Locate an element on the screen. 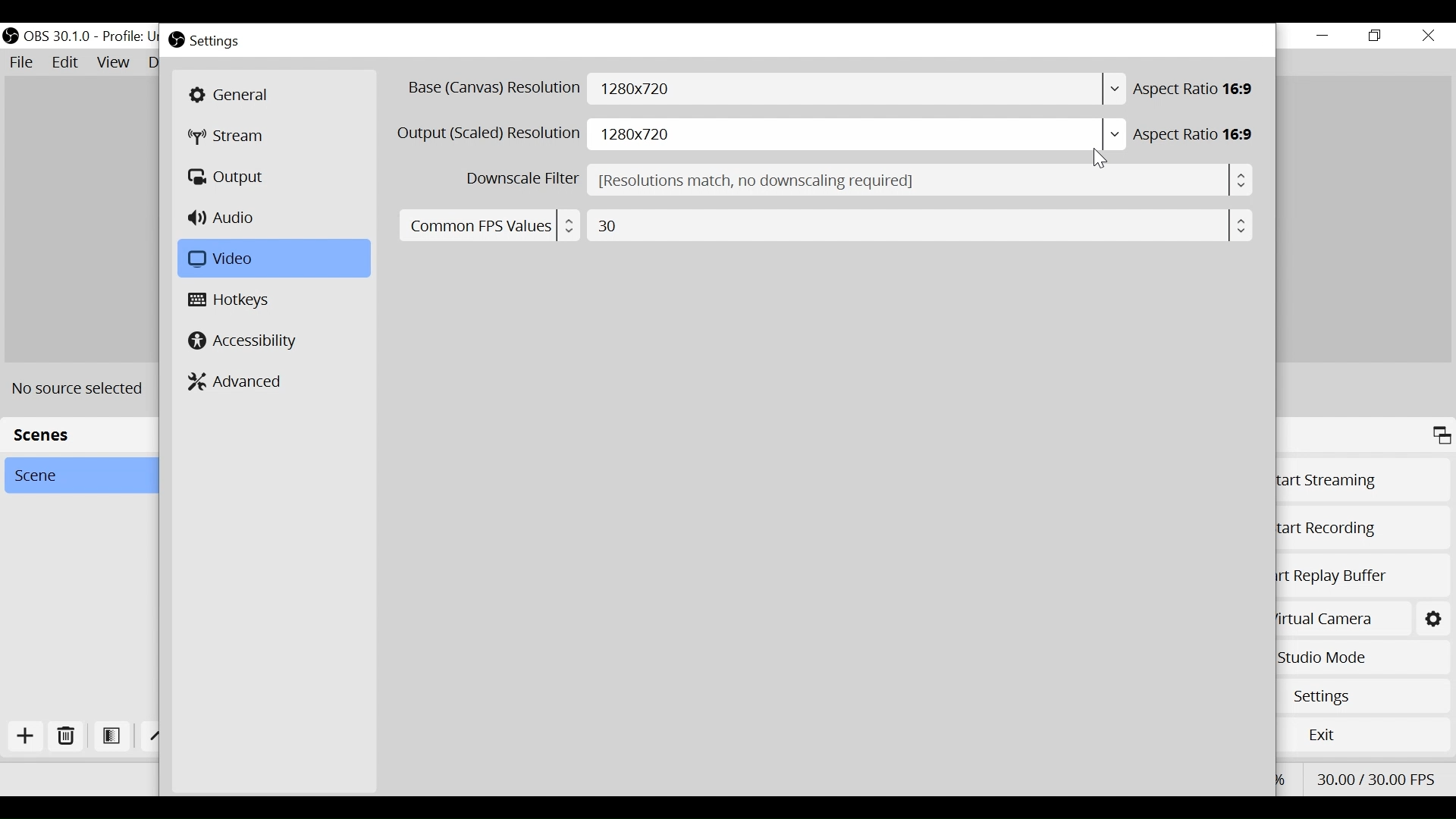  Advanced is located at coordinates (237, 381).